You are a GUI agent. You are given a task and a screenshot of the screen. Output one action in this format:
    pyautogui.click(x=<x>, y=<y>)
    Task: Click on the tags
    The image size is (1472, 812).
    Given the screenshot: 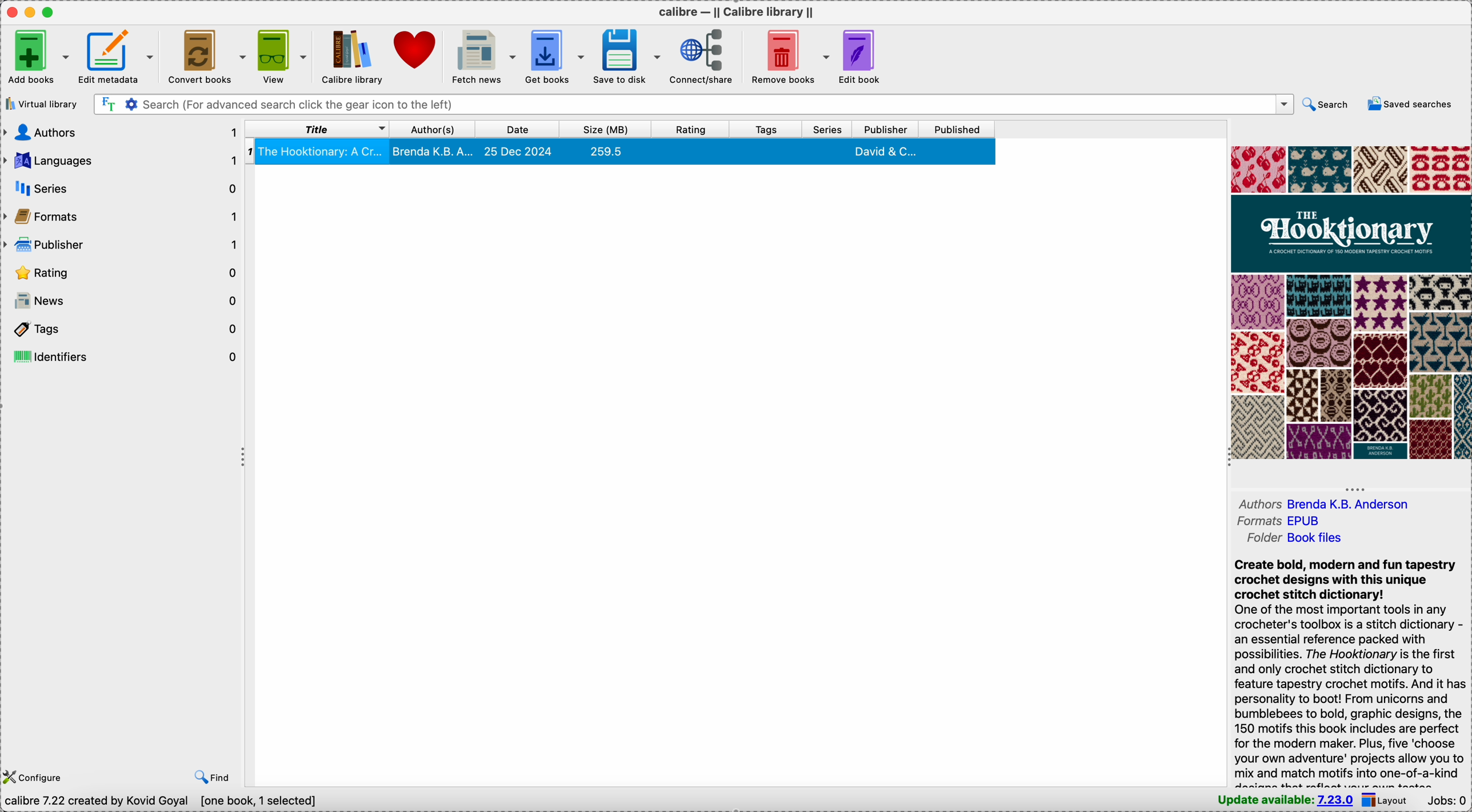 What is the action you would take?
    pyautogui.click(x=765, y=129)
    